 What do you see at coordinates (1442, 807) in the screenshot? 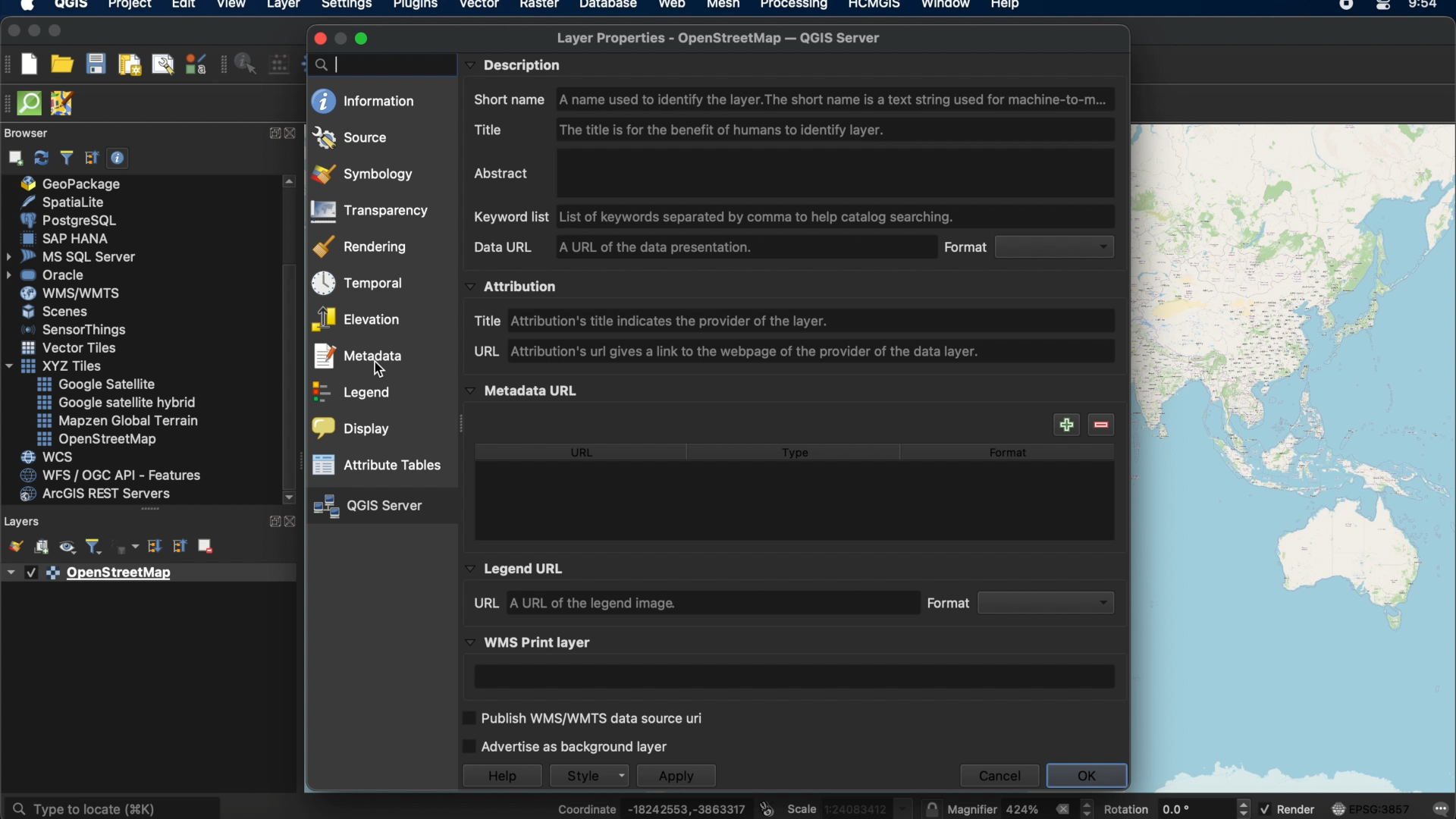
I see `messages` at bounding box center [1442, 807].